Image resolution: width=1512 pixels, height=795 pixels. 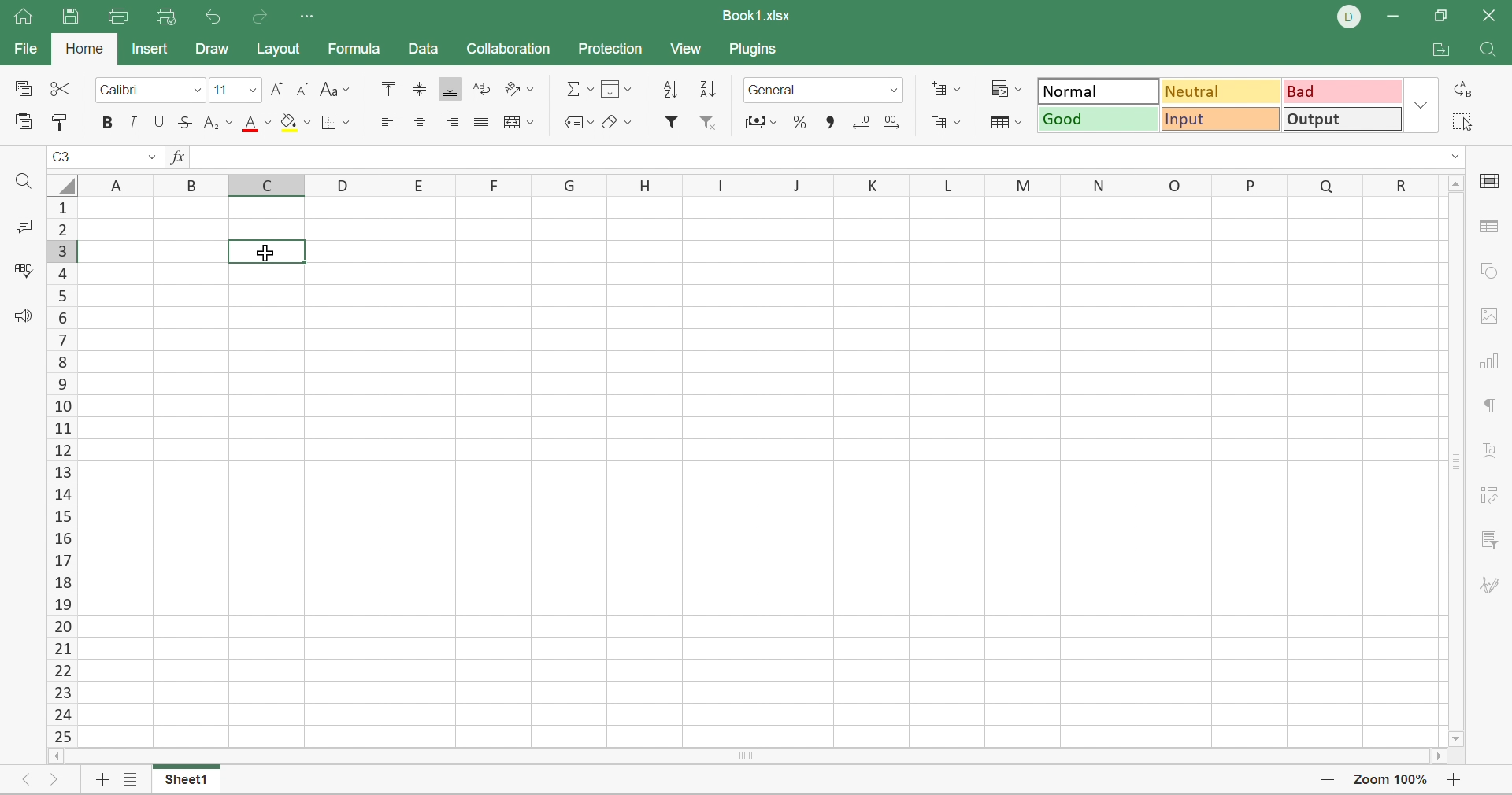 What do you see at coordinates (216, 17) in the screenshot?
I see `Undo` at bounding box center [216, 17].